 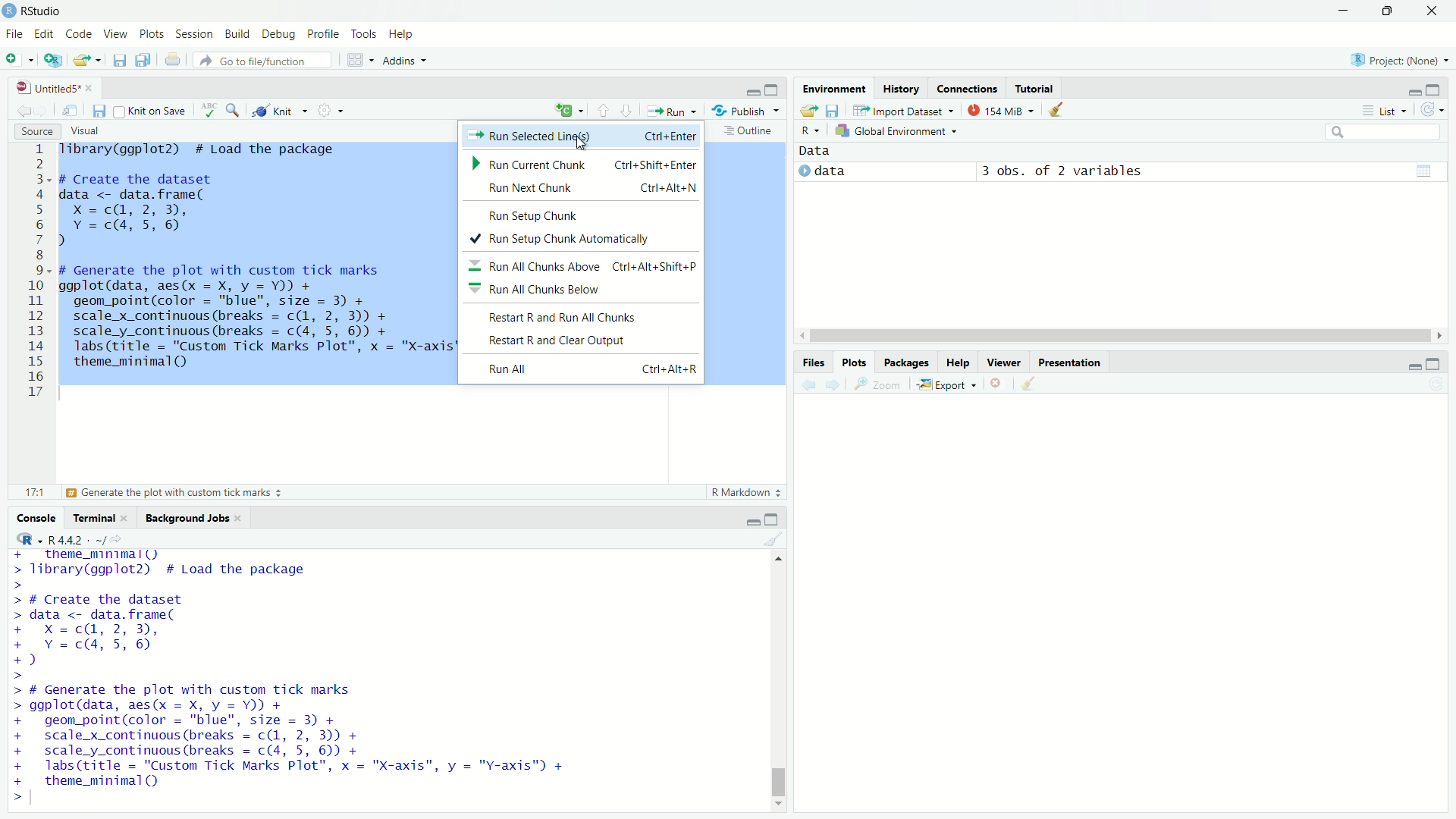 What do you see at coordinates (591, 263) in the screenshot?
I see `Run All Chunks Above` at bounding box center [591, 263].